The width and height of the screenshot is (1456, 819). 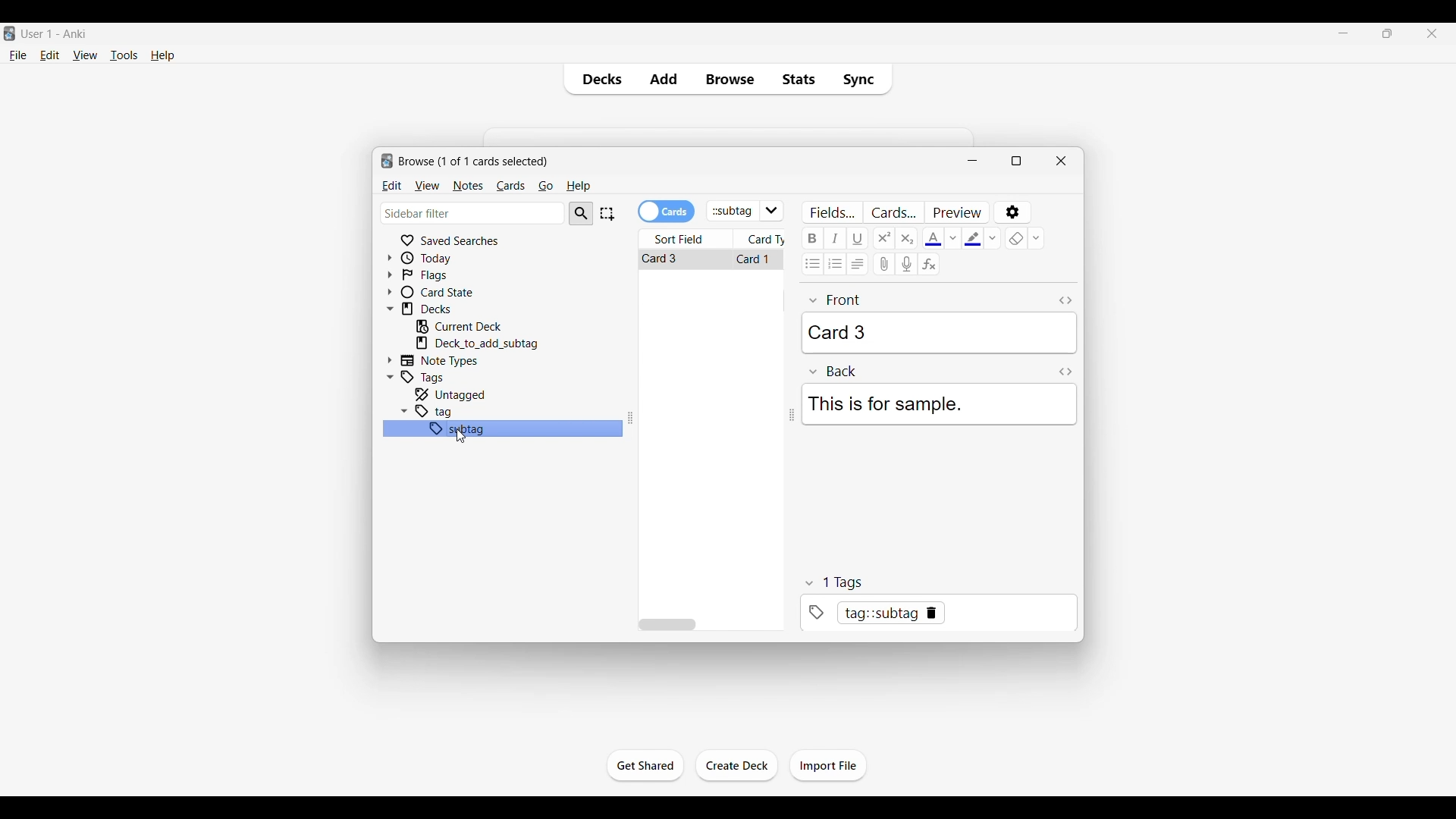 I want to click on Click to go to Note types, so click(x=447, y=360).